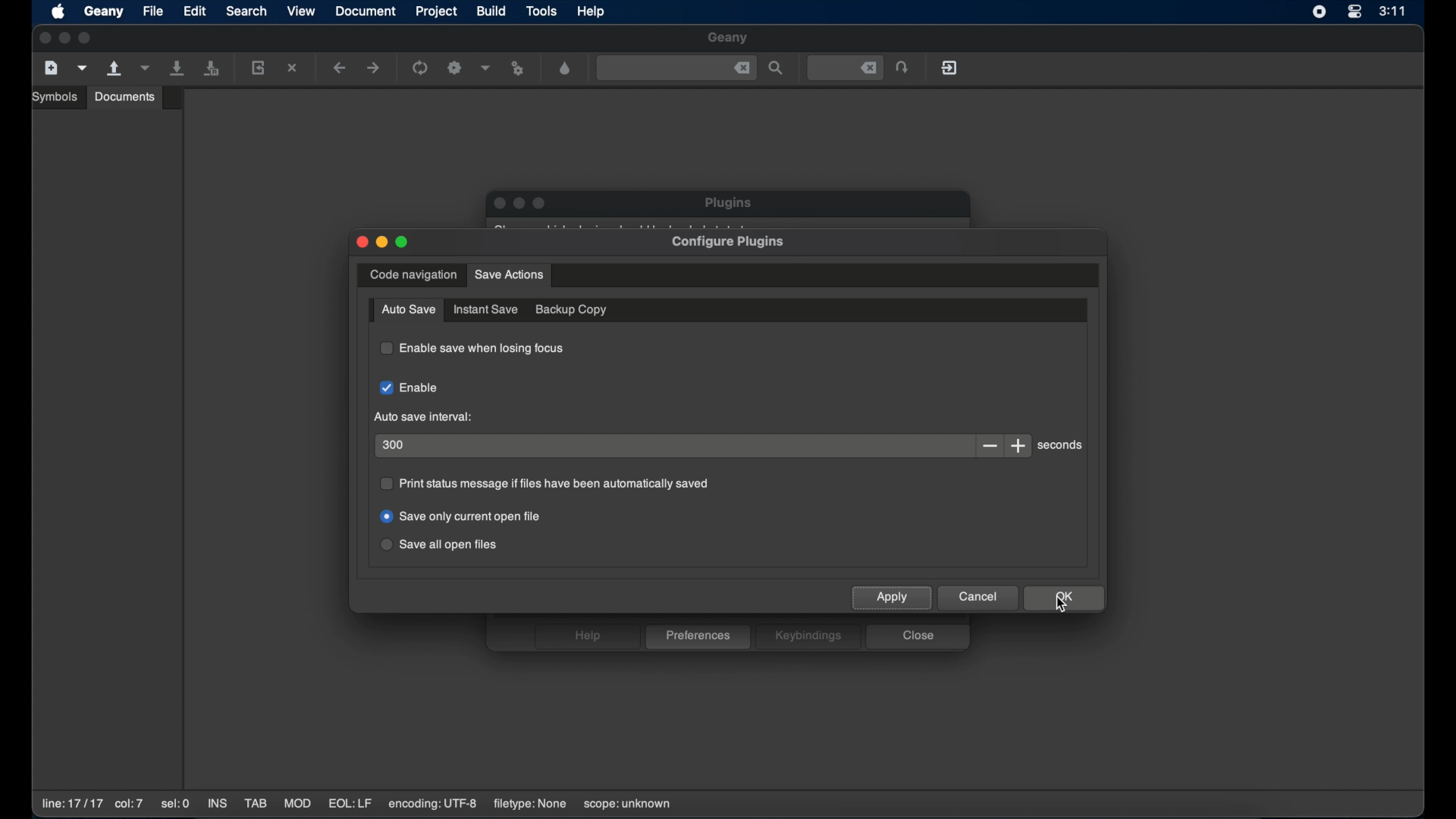  Describe the element at coordinates (1063, 604) in the screenshot. I see `cursor` at that location.